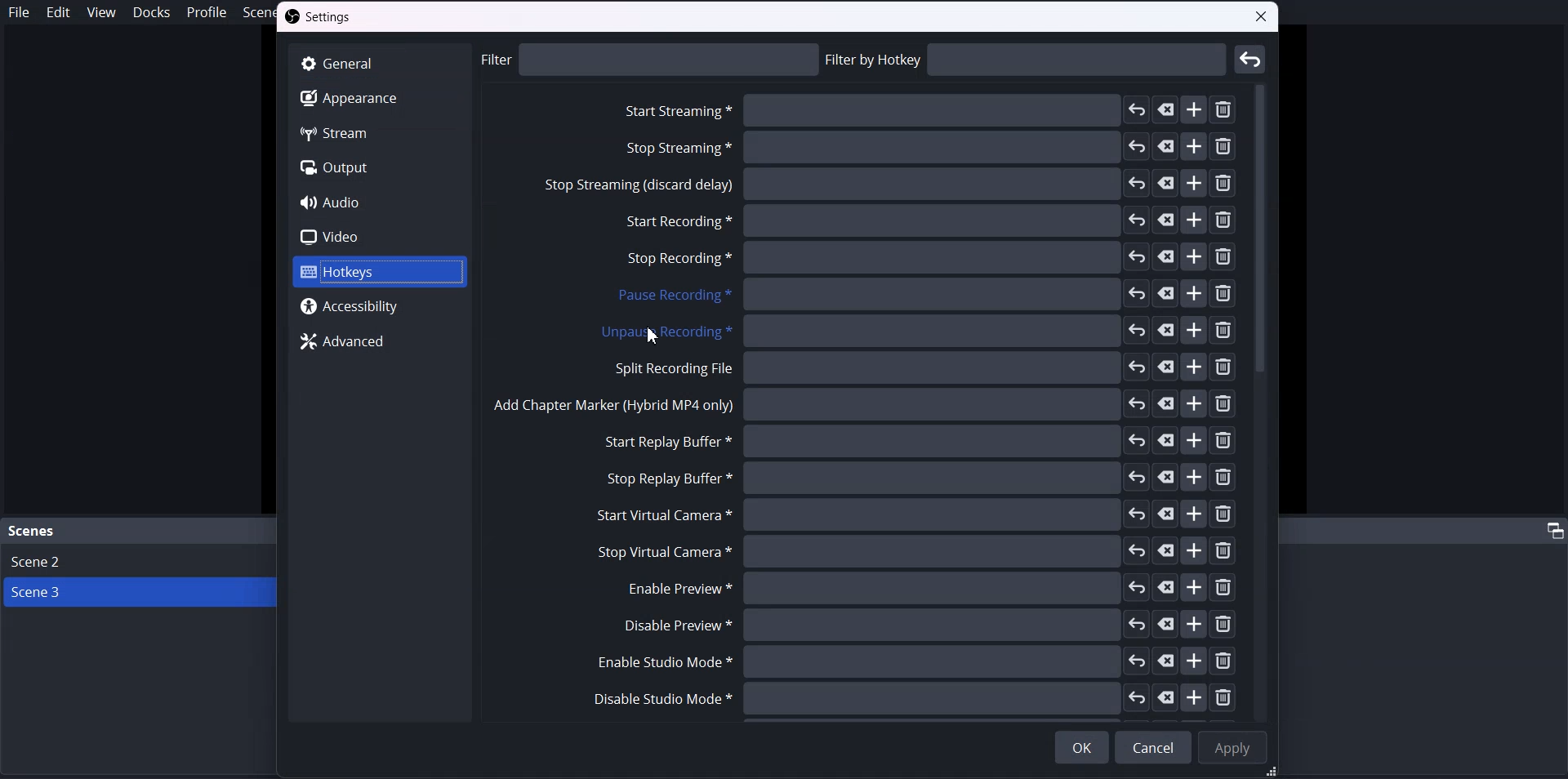 The width and height of the screenshot is (1568, 779). What do you see at coordinates (1232, 748) in the screenshot?
I see `Apply` at bounding box center [1232, 748].